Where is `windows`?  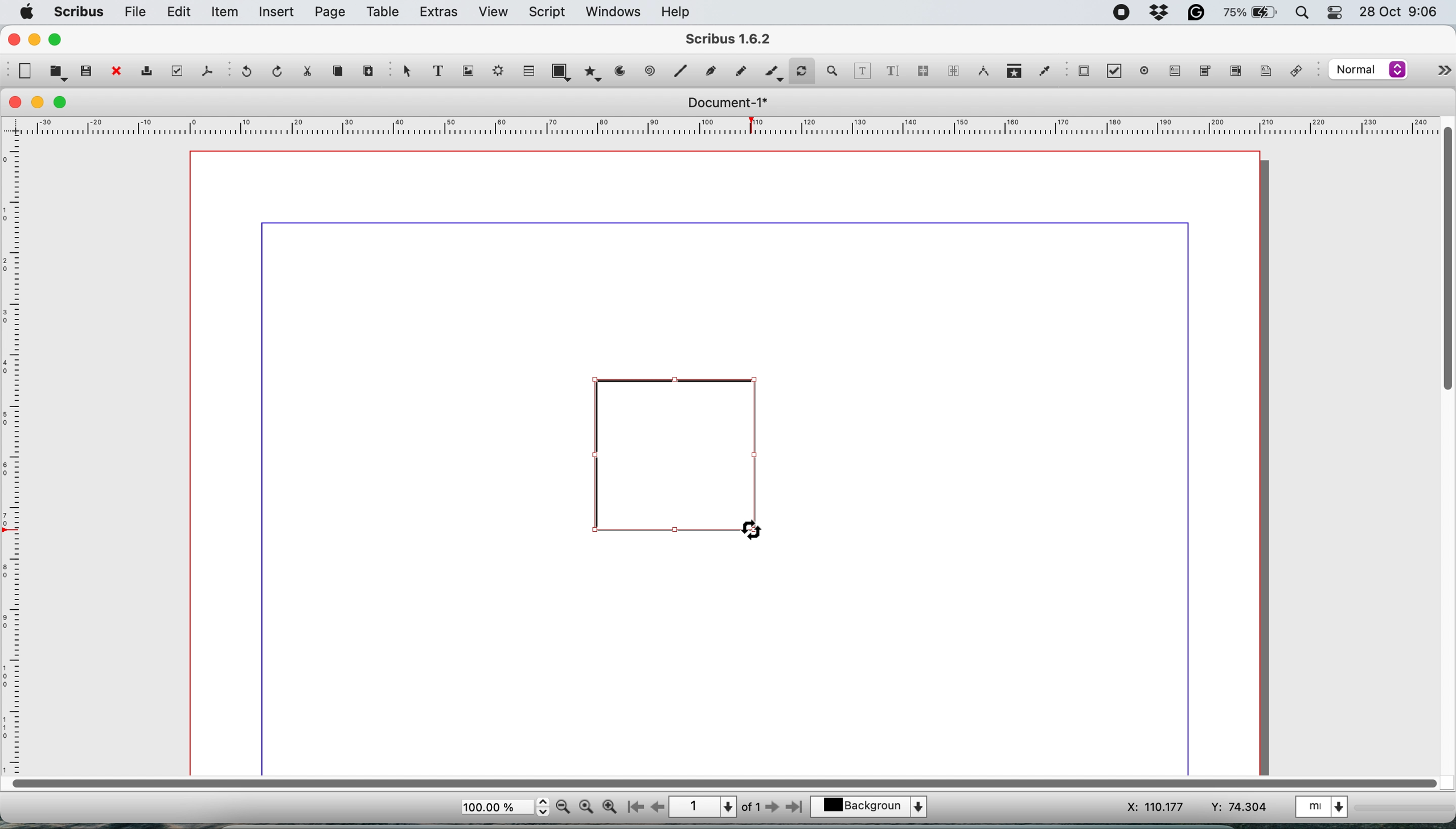
windows is located at coordinates (611, 11).